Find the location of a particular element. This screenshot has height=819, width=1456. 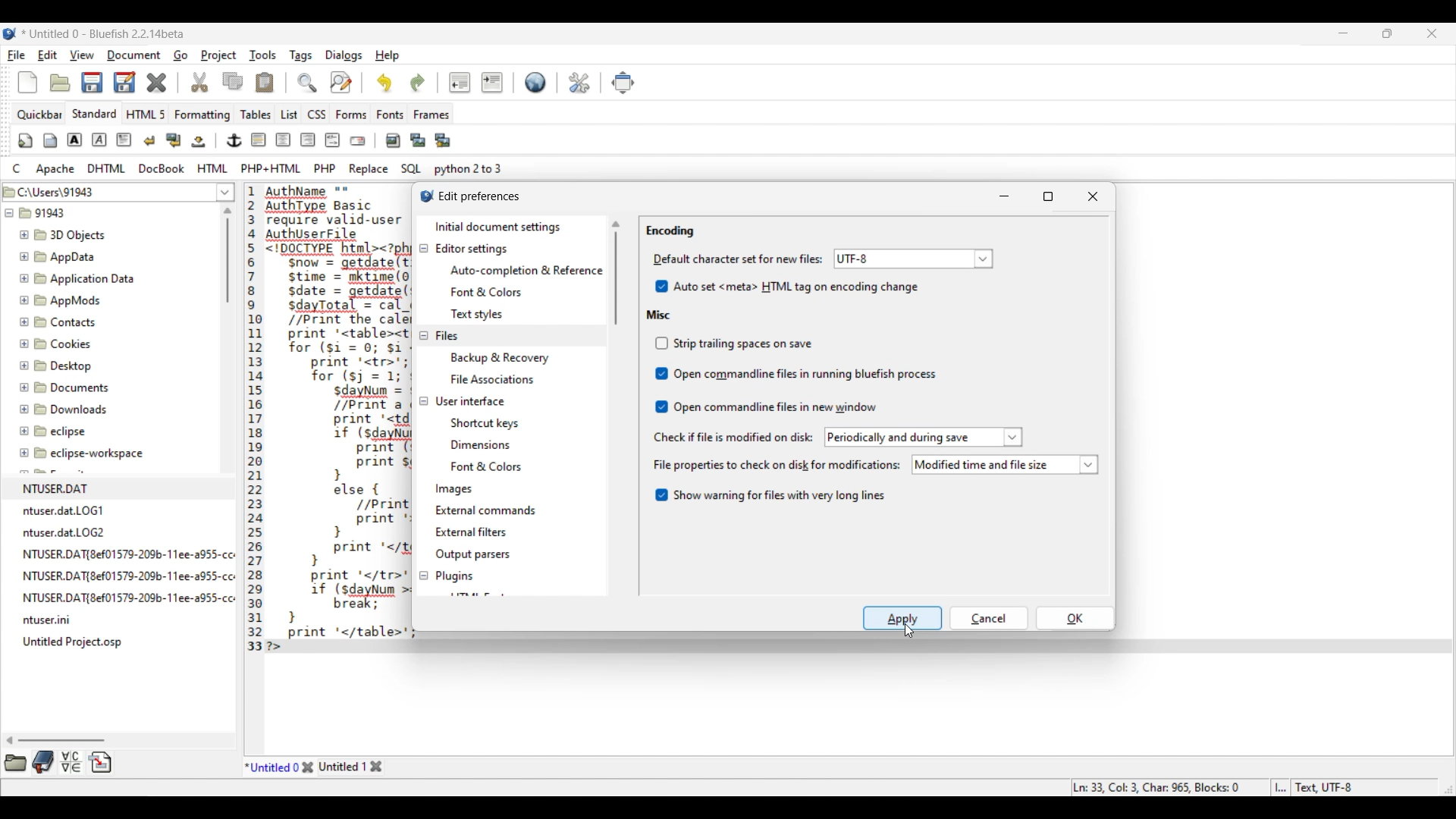

More tool options is located at coordinates (58, 761).